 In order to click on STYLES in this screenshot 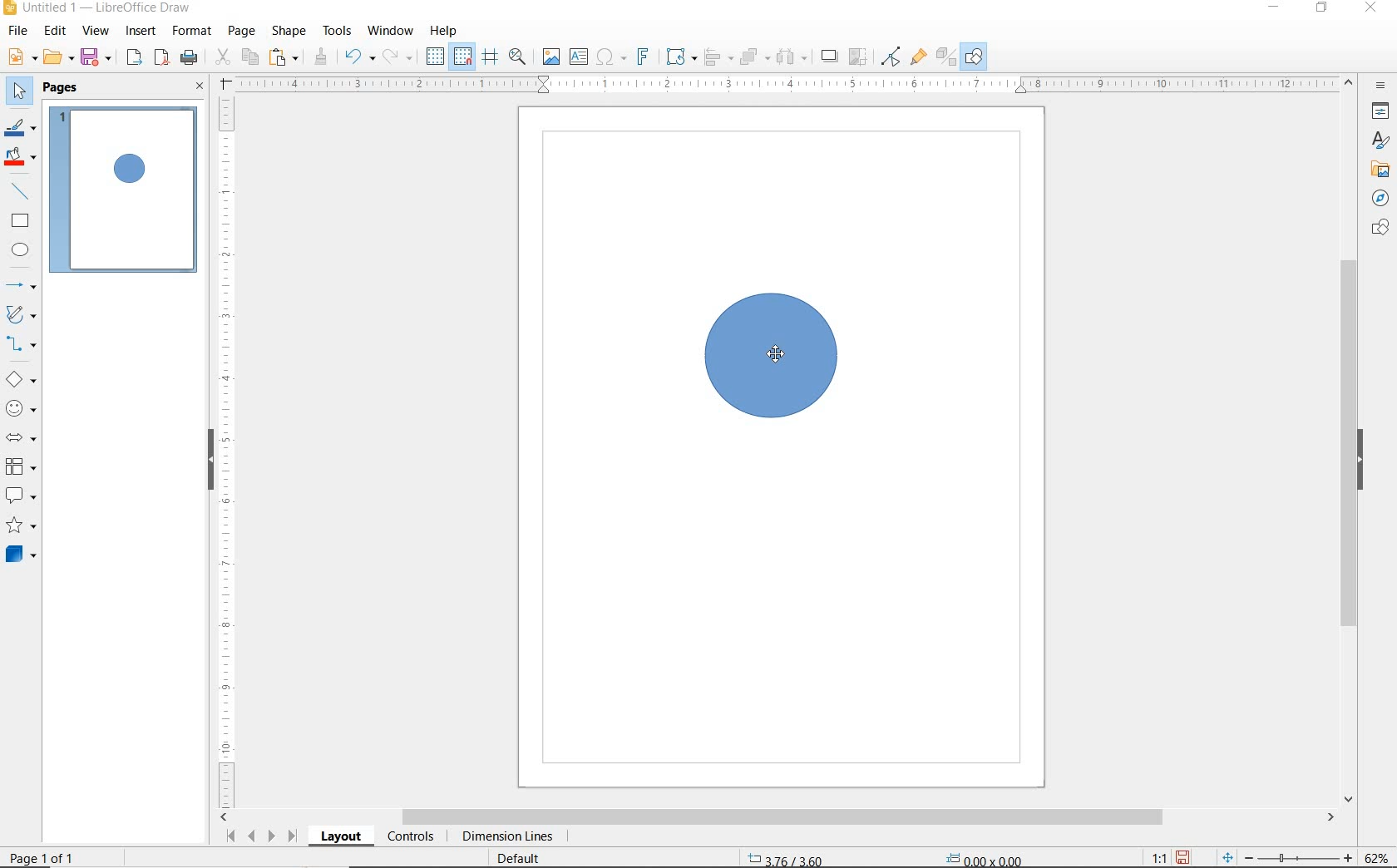, I will do `click(1380, 140)`.